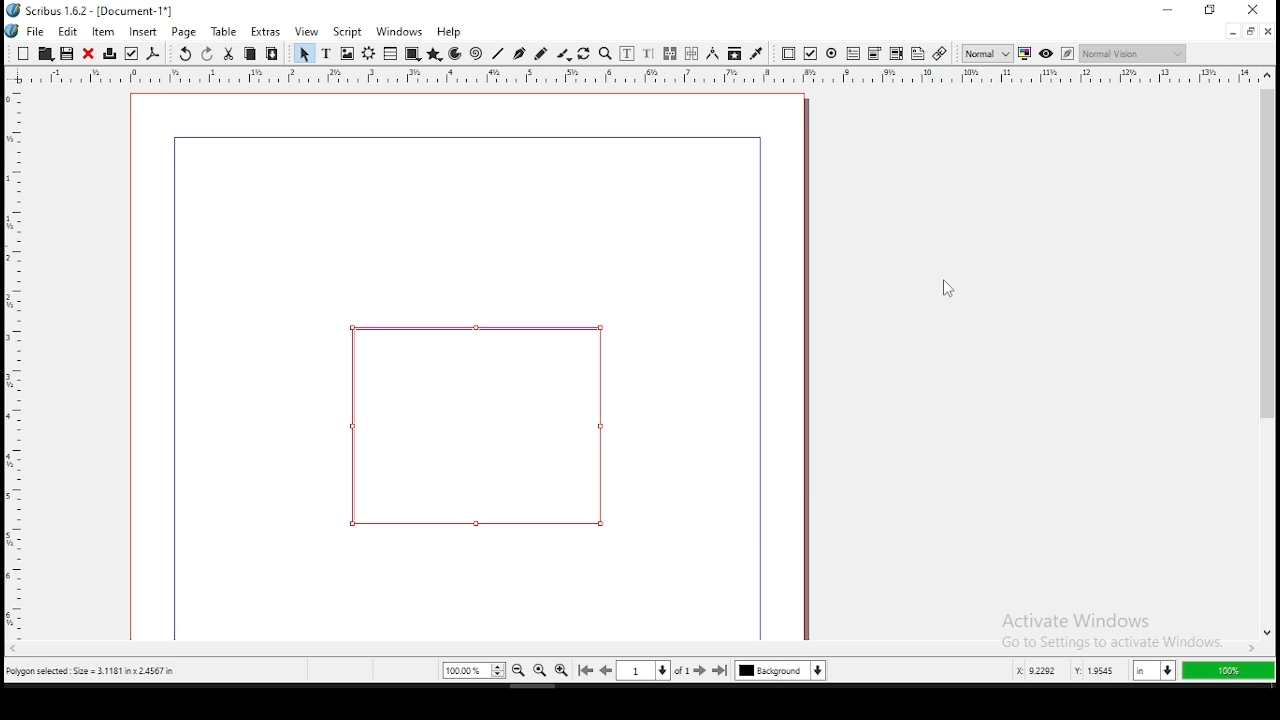 The width and height of the screenshot is (1280, 720). What do you see at coordinates (250, 54) in the screenshot?
I see `copy` at bounding box center [250, 54].